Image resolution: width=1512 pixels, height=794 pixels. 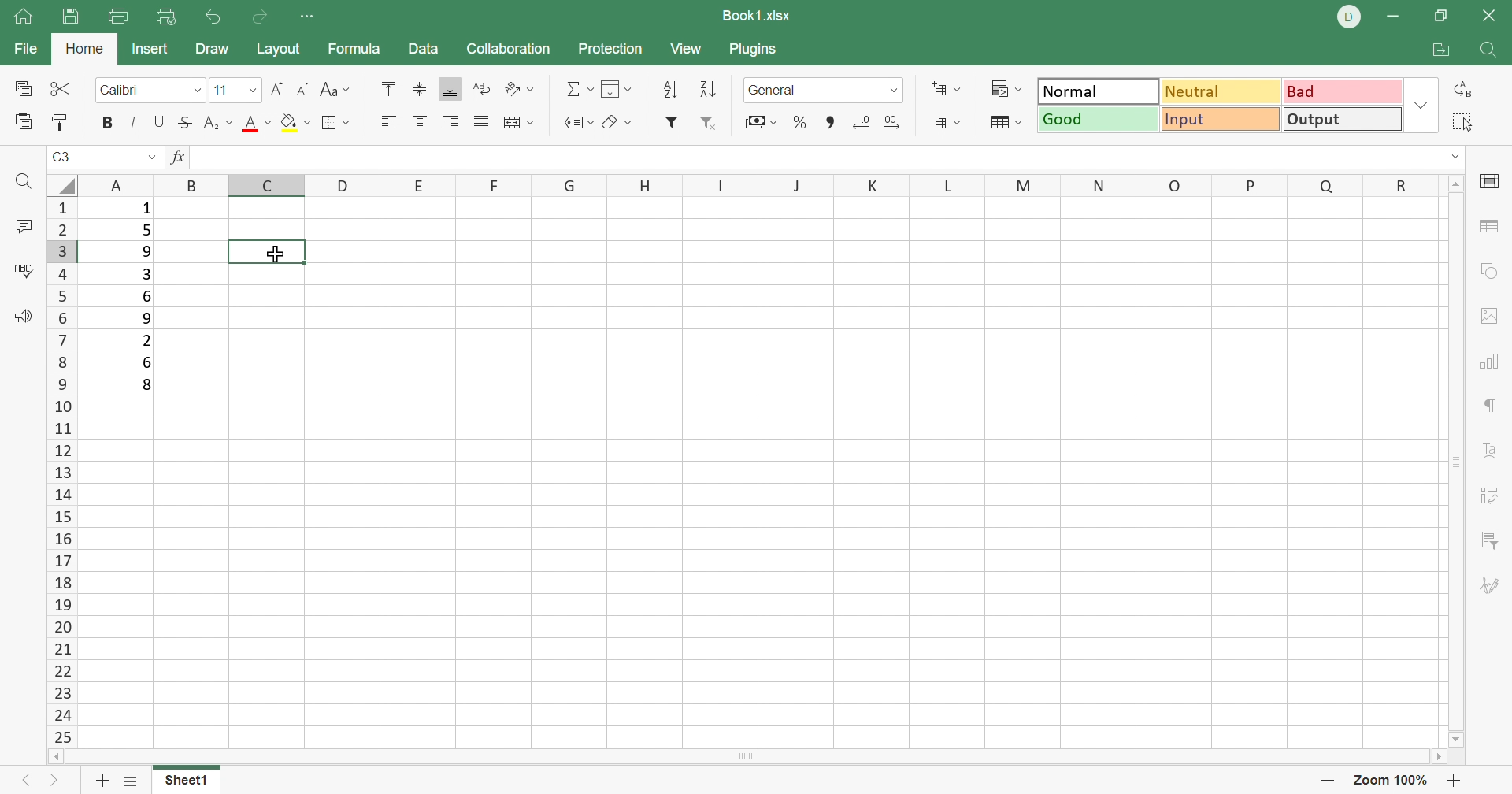 What do you see at coordinates (1350, 17) in the screenshot?
I see `DELL` at bounding box center [1350, 17].